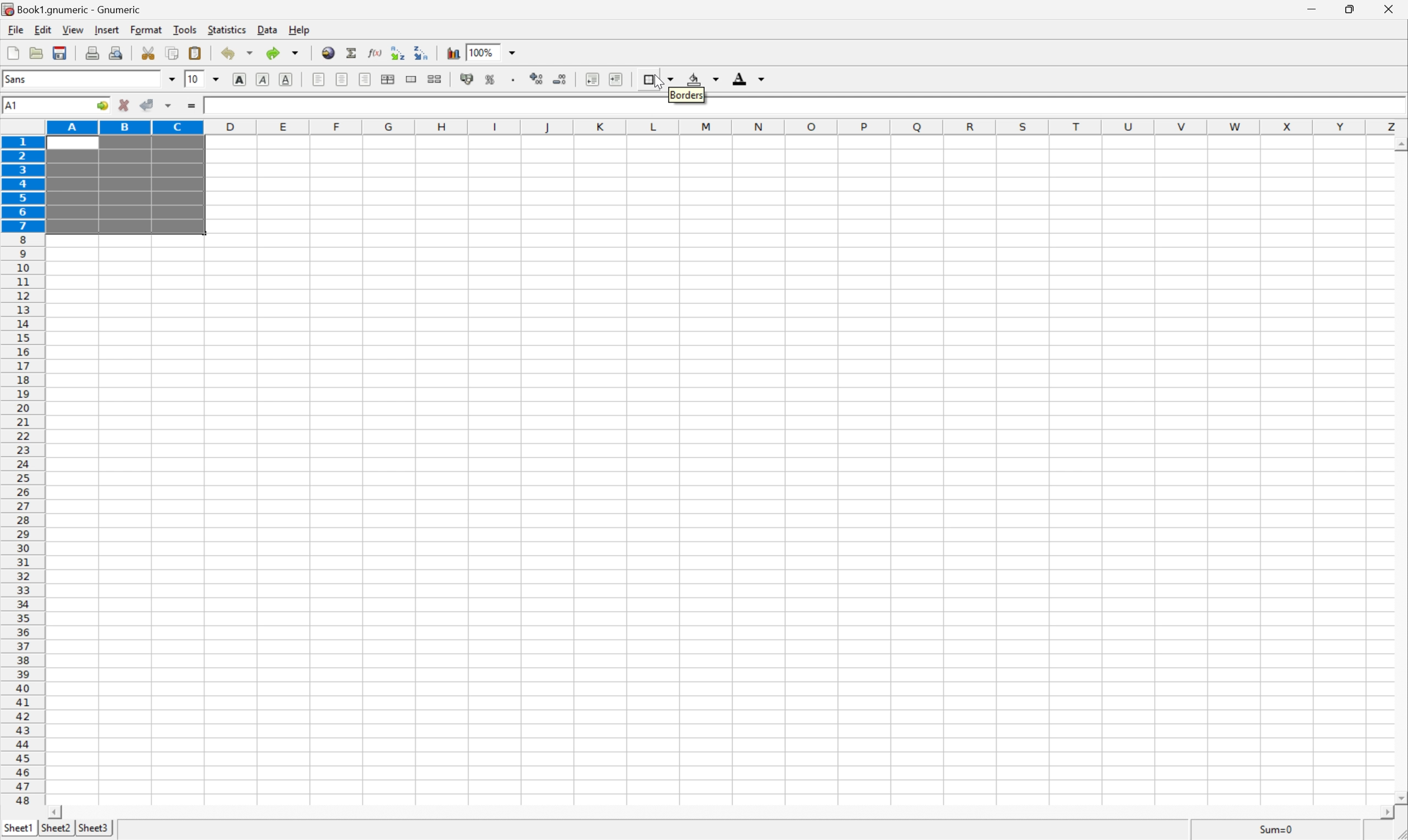 This screenshot has width=1408, height=840. What do you see at coordinates (149, 53) in the screenshot?
I see `cut` at bounding box center [149, 53].